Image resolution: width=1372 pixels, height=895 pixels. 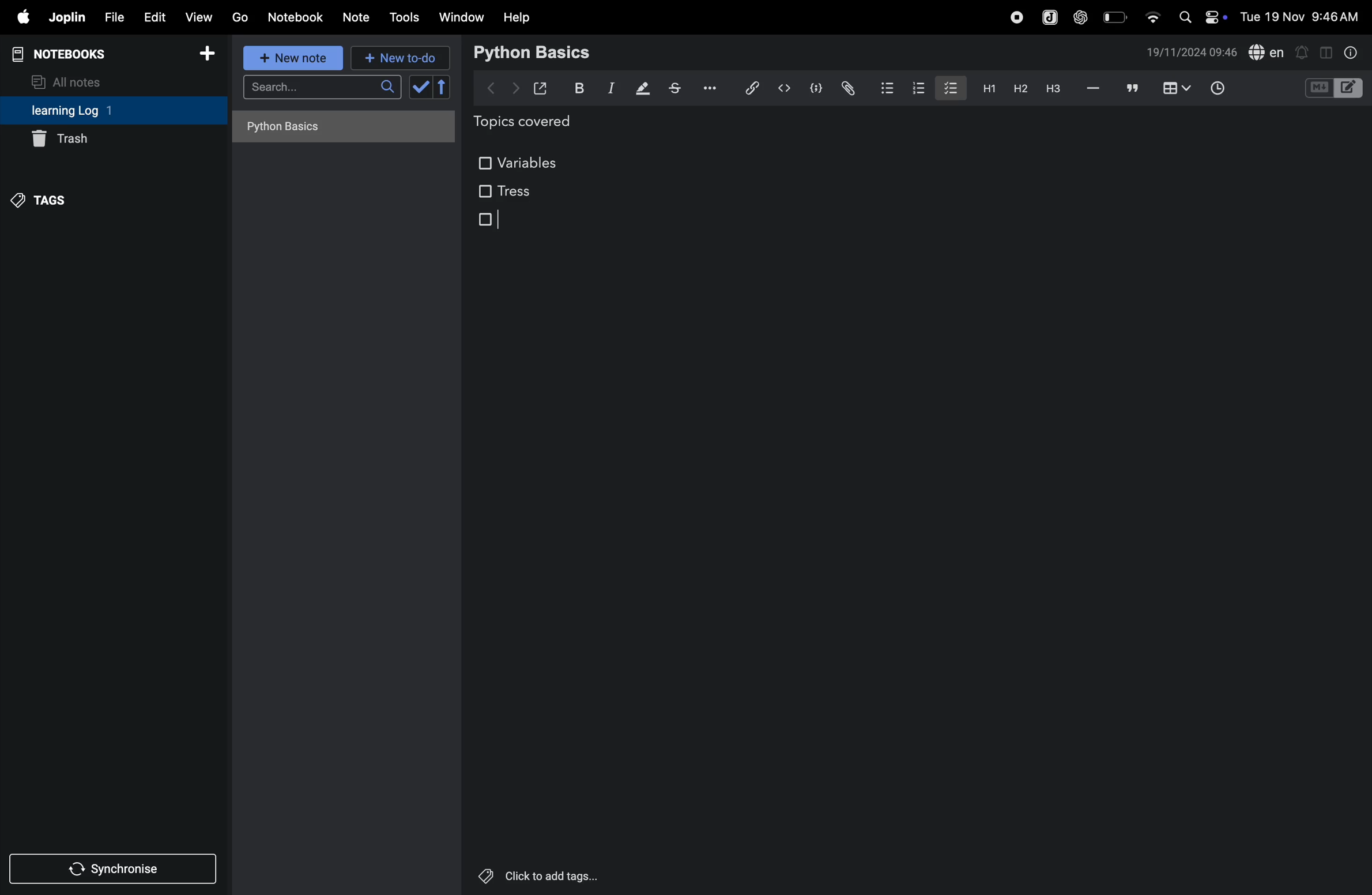 What do you see at coordinates (97, 141) in the screenshot?
I see `trash` at bounding box center [97, 141].